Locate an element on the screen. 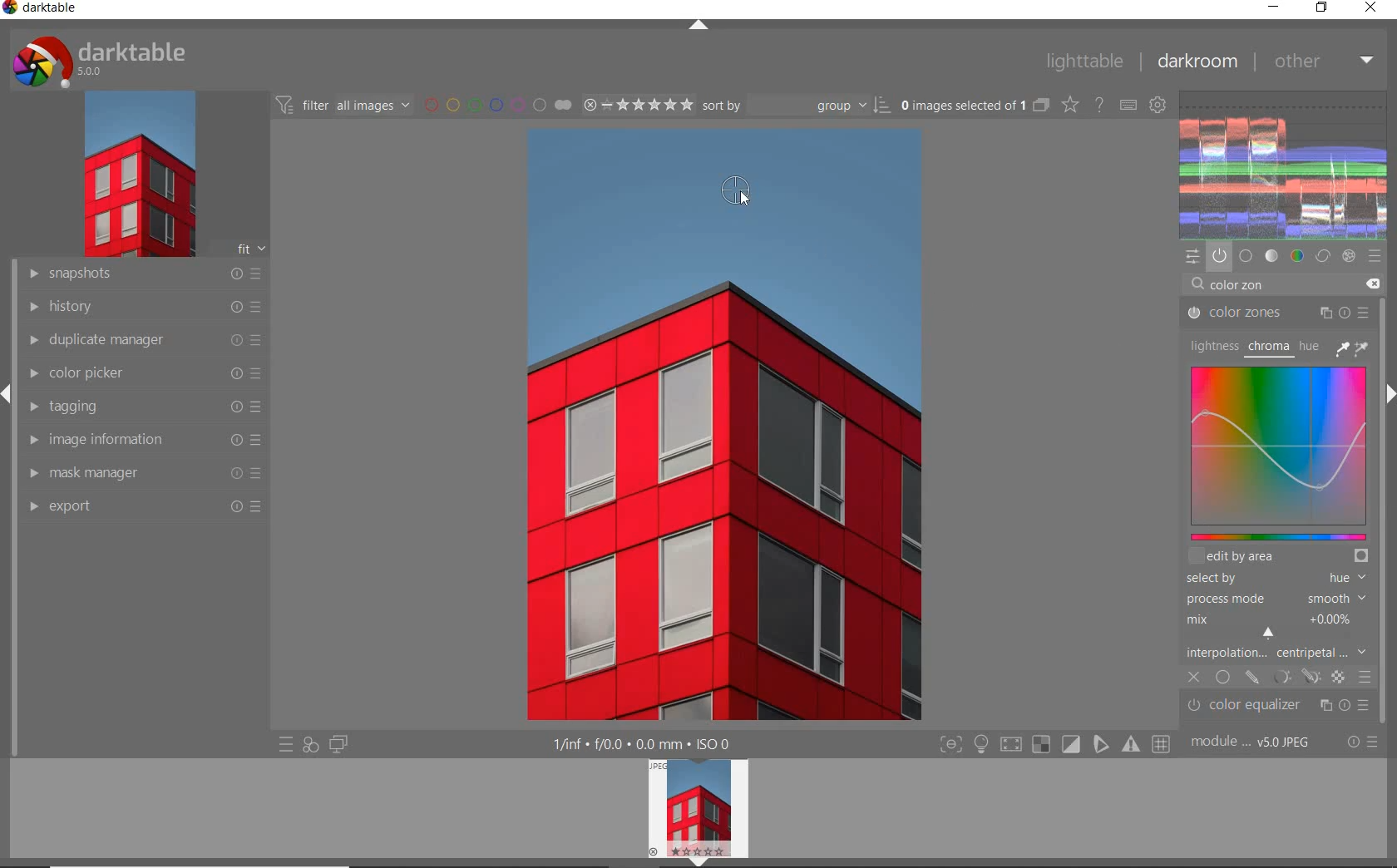  PROCESS MODE is located at coordinates (1274, 598).